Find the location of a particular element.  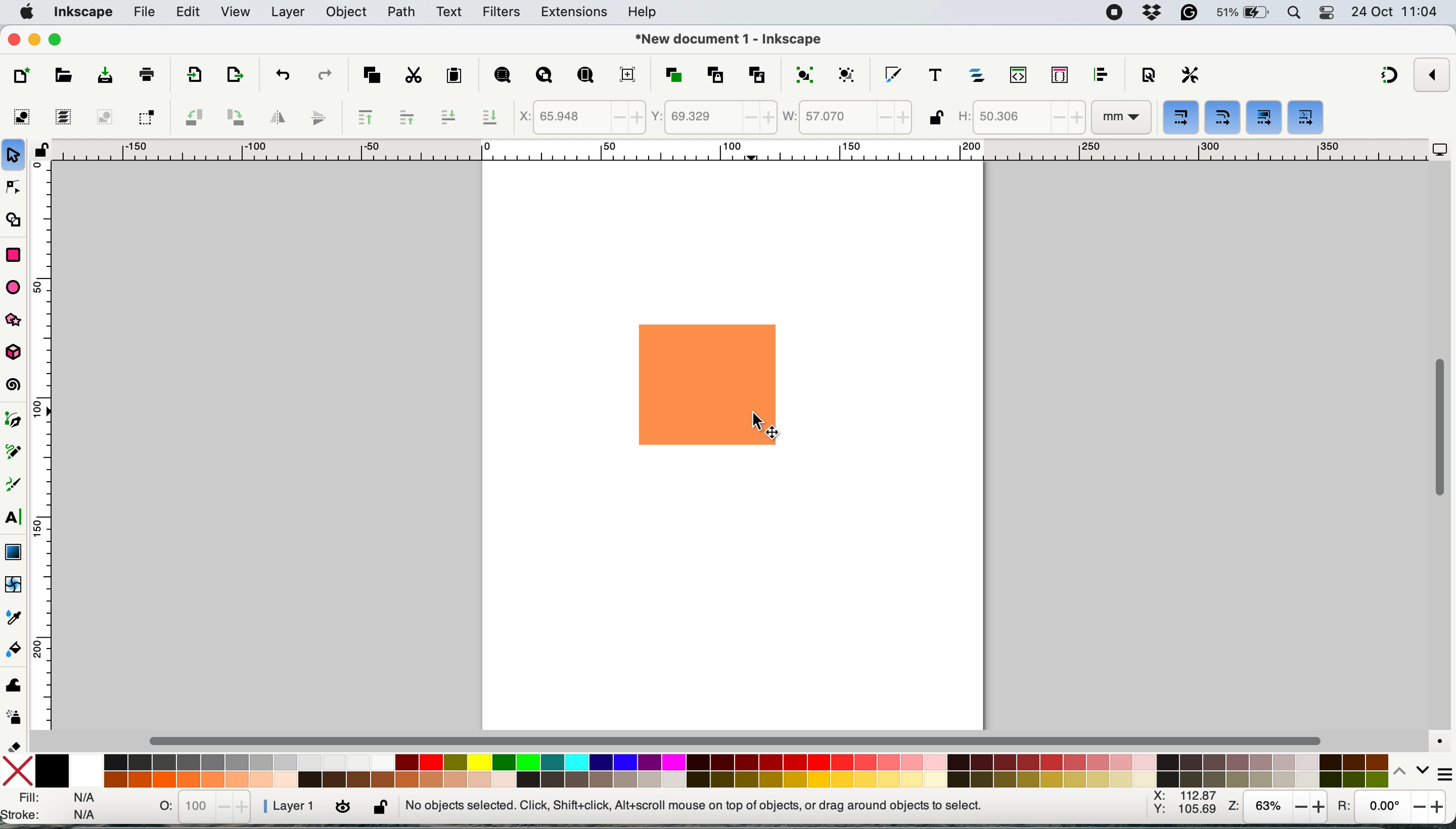

lock unlock is located at coordinates (936, 119).